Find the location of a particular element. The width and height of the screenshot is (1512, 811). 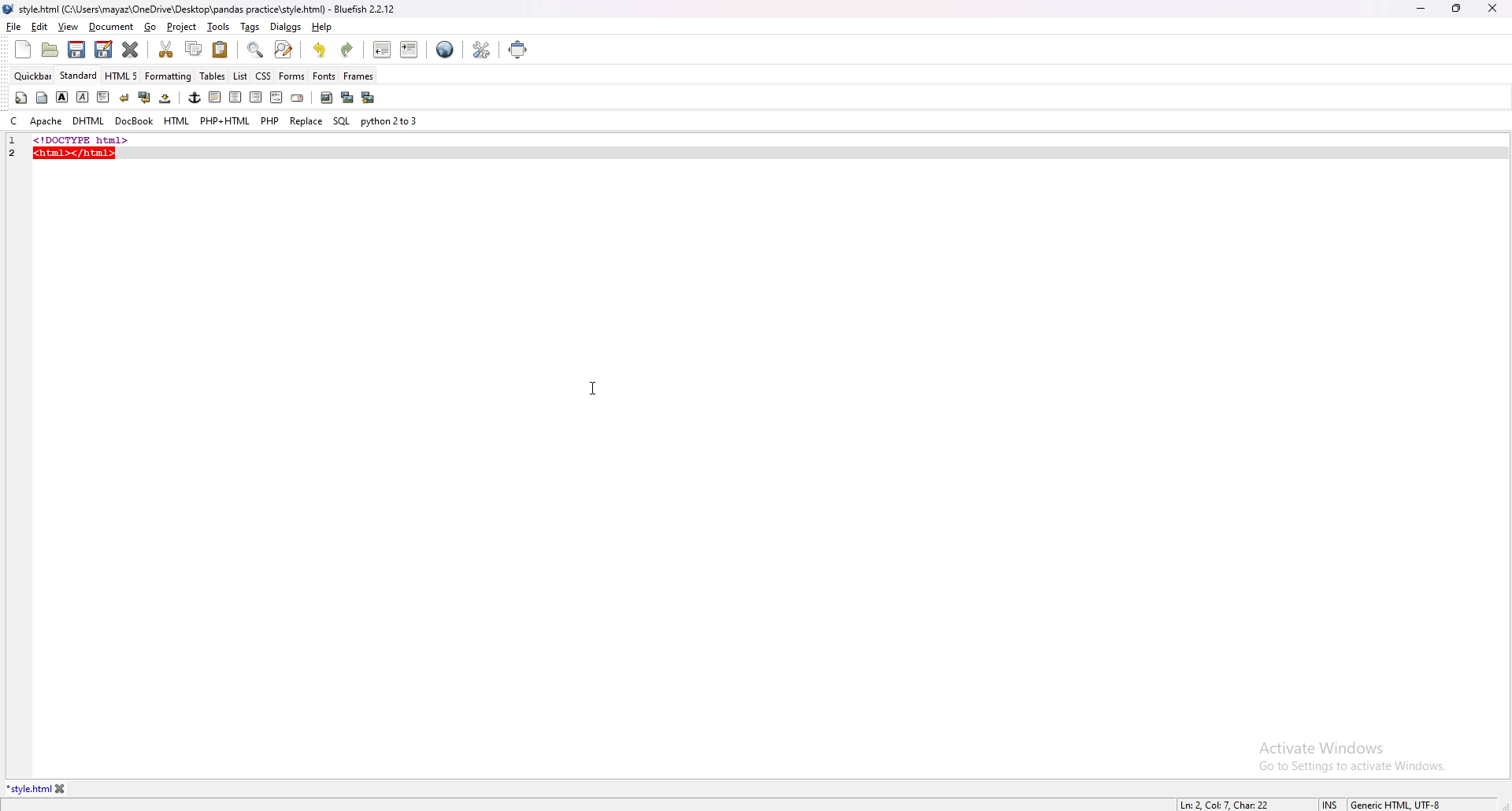

docbook is located at coordinates (134, 121).